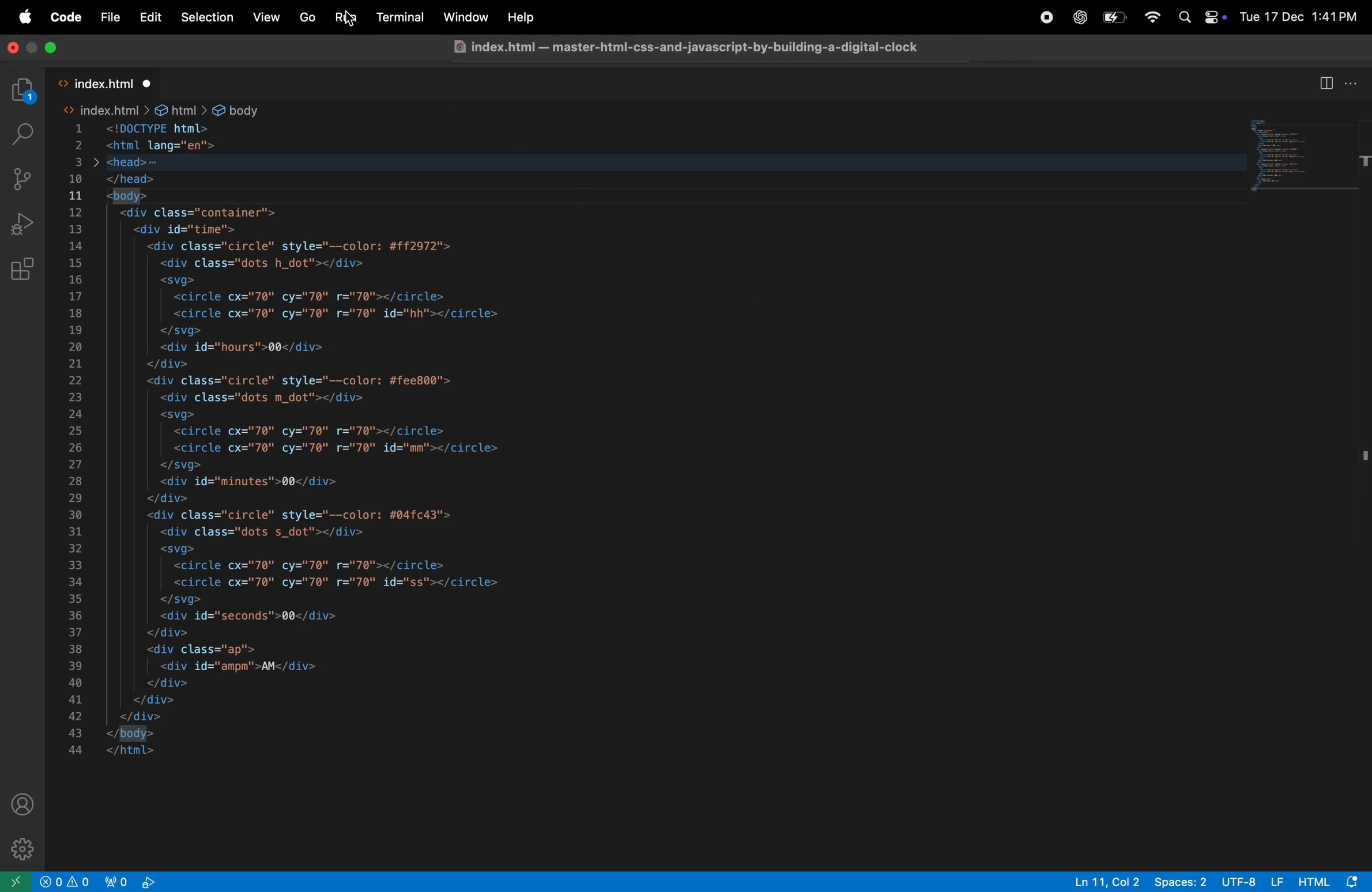 This screenshot has width=1372, height=892. What do you see at coordinates (1078, 17) in the screenshot?
I see `chatgpt` at bounding box center [1078, 17].